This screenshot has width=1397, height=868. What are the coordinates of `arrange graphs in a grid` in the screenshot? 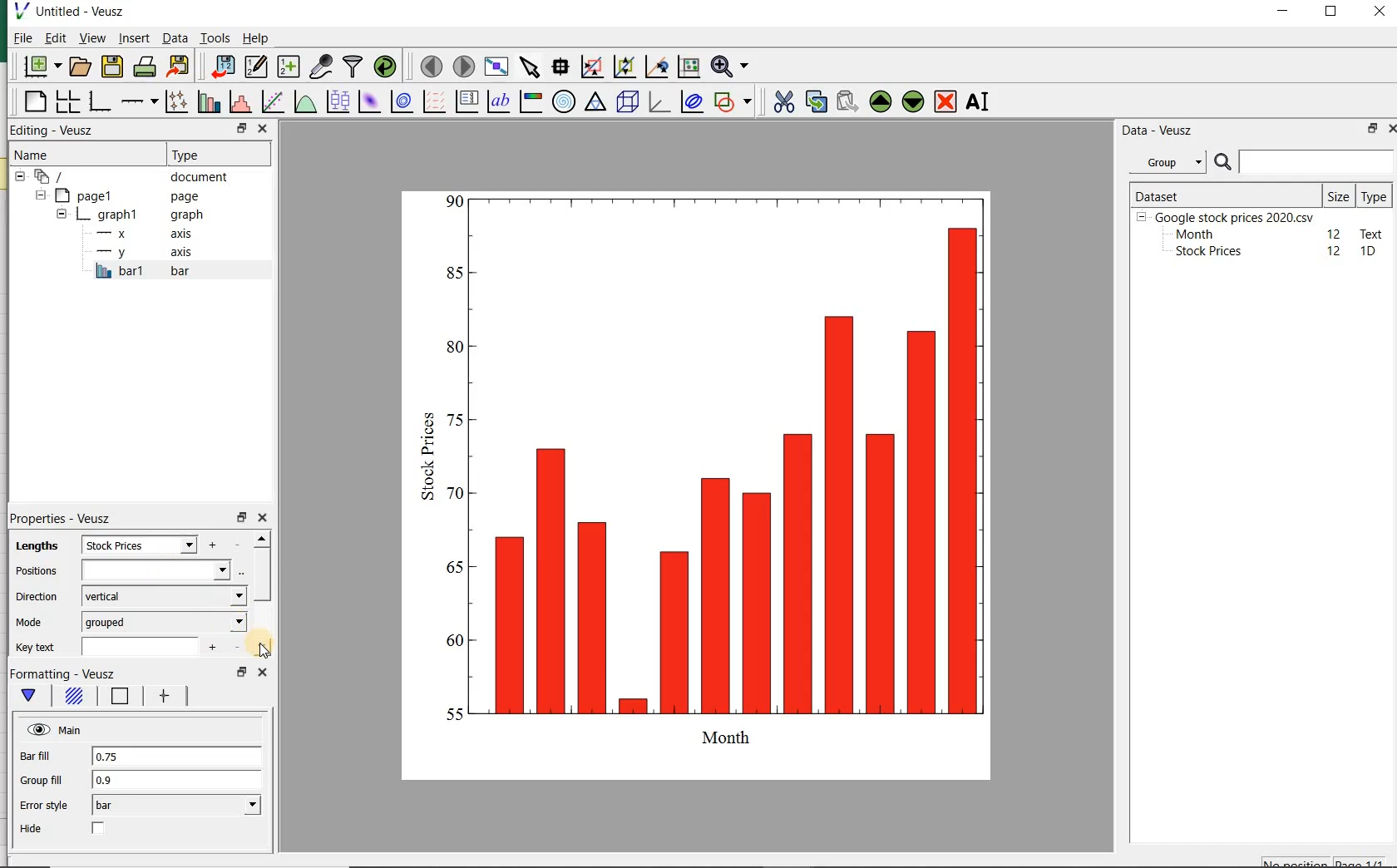 It's located at (66, 102).